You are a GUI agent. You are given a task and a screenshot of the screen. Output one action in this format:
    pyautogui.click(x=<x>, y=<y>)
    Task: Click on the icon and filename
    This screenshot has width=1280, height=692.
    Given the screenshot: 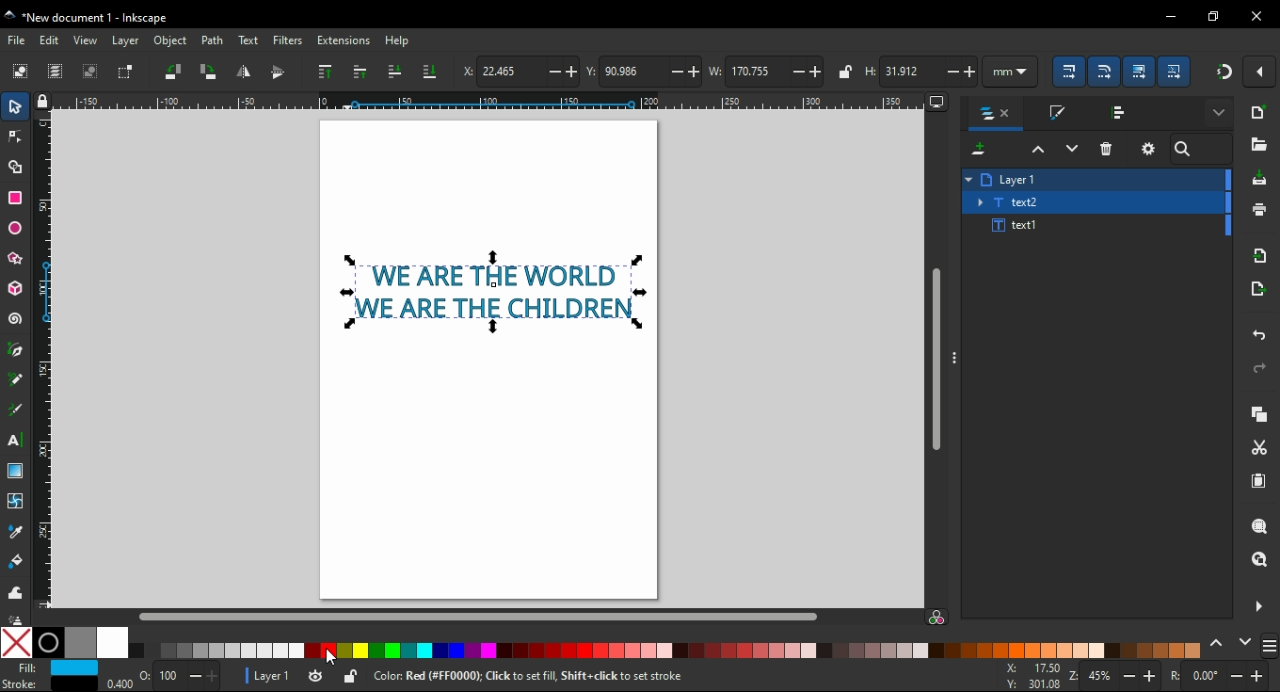 What is the action you would take?
    pyautogui.click(x=88, y=16)
    